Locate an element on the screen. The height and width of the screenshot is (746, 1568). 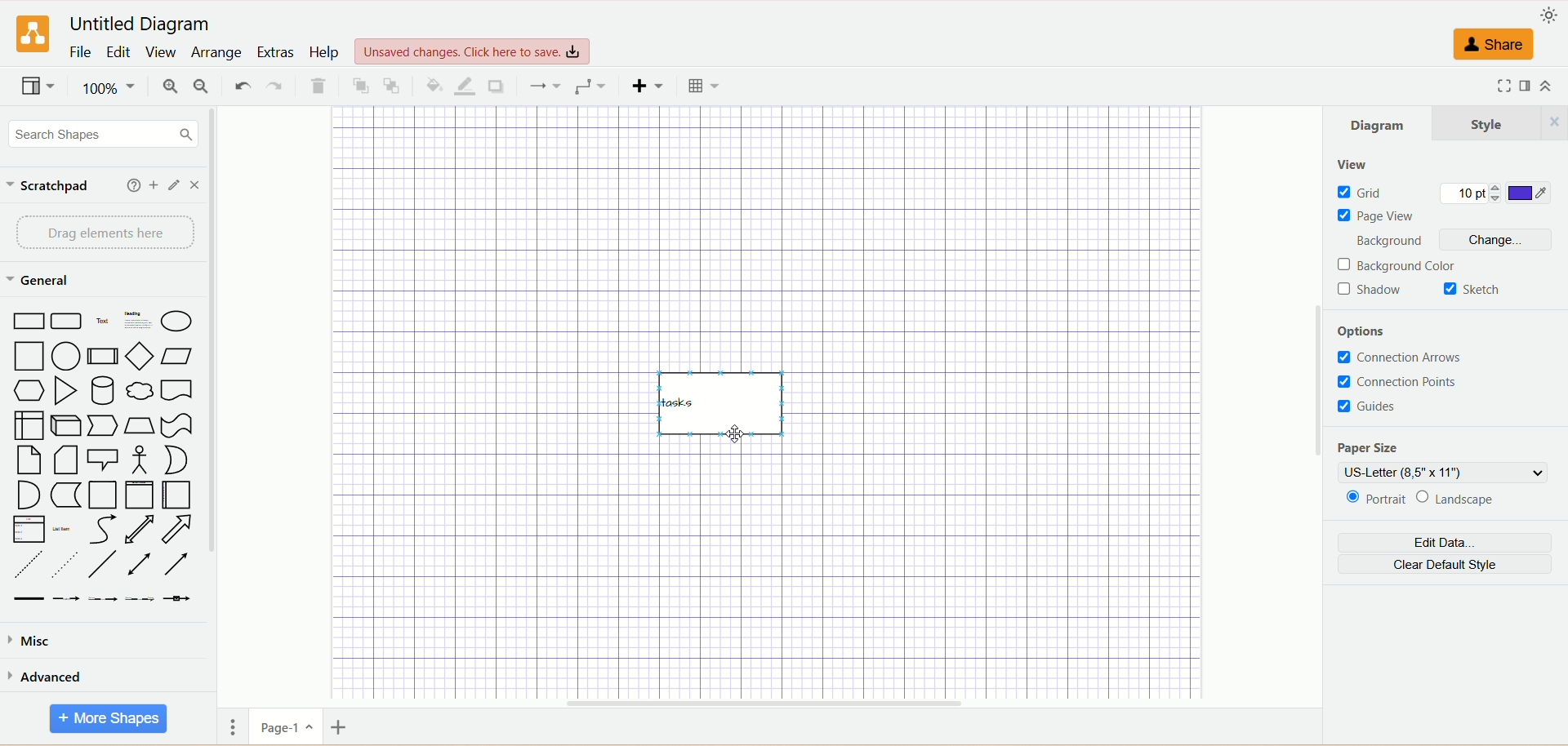
share is located at coordinates (1495, 45).